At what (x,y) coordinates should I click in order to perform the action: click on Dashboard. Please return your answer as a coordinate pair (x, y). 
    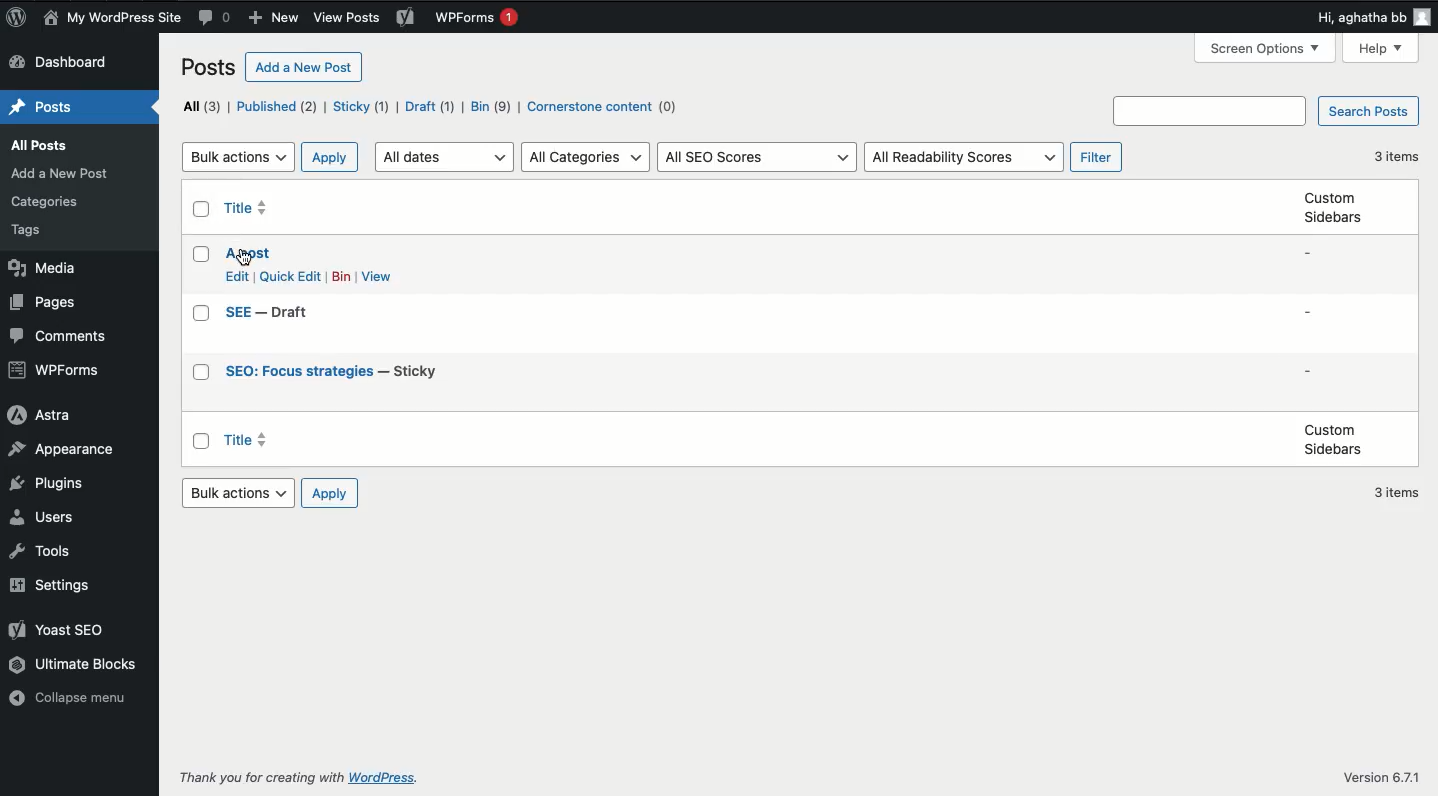
    Looking at the image, I should click on (64, 61).